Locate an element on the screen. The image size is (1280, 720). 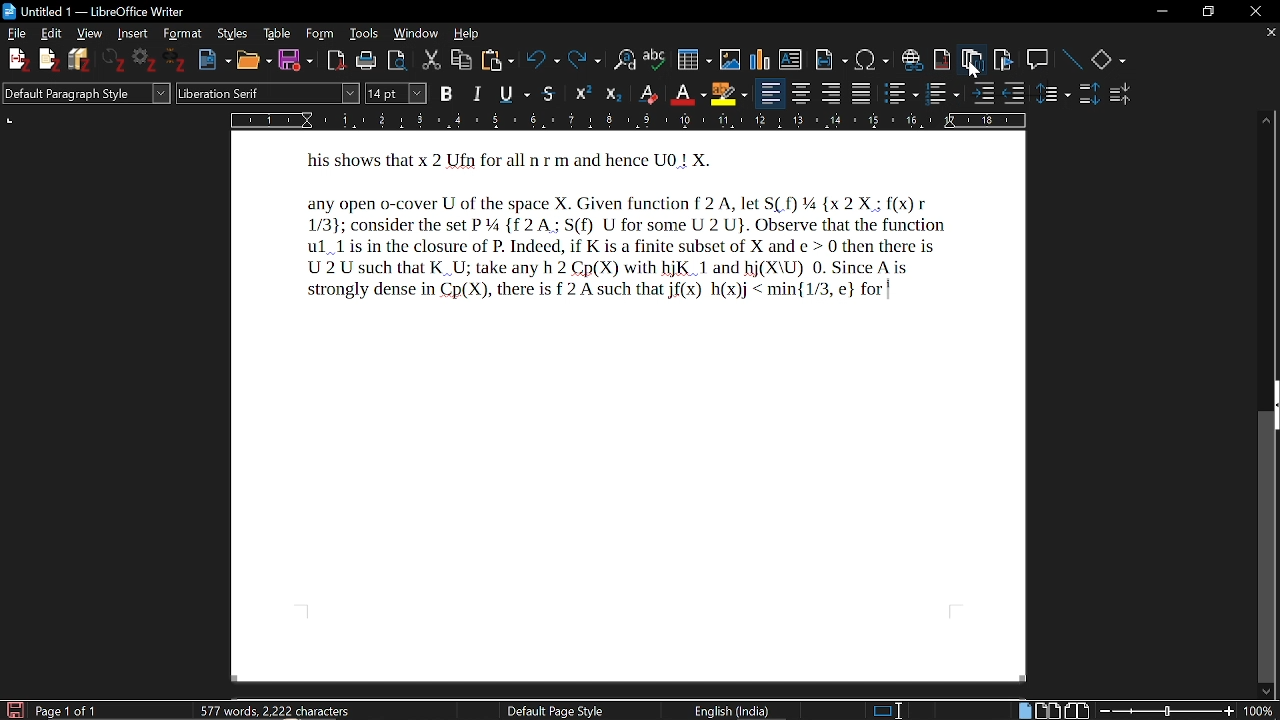
Undo is located at coordinates (543, 61).